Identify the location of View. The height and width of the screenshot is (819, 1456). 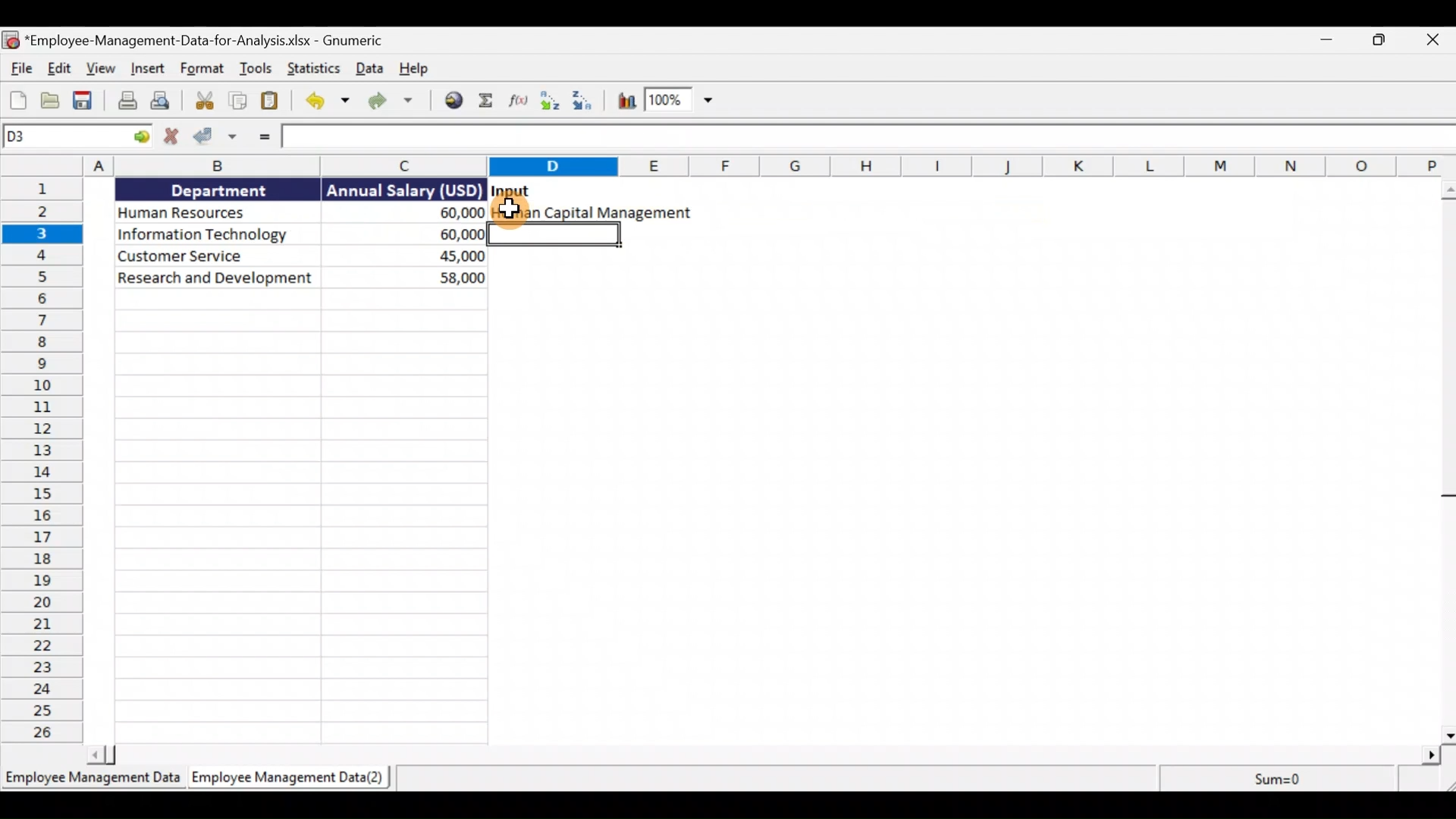
(102, 67).